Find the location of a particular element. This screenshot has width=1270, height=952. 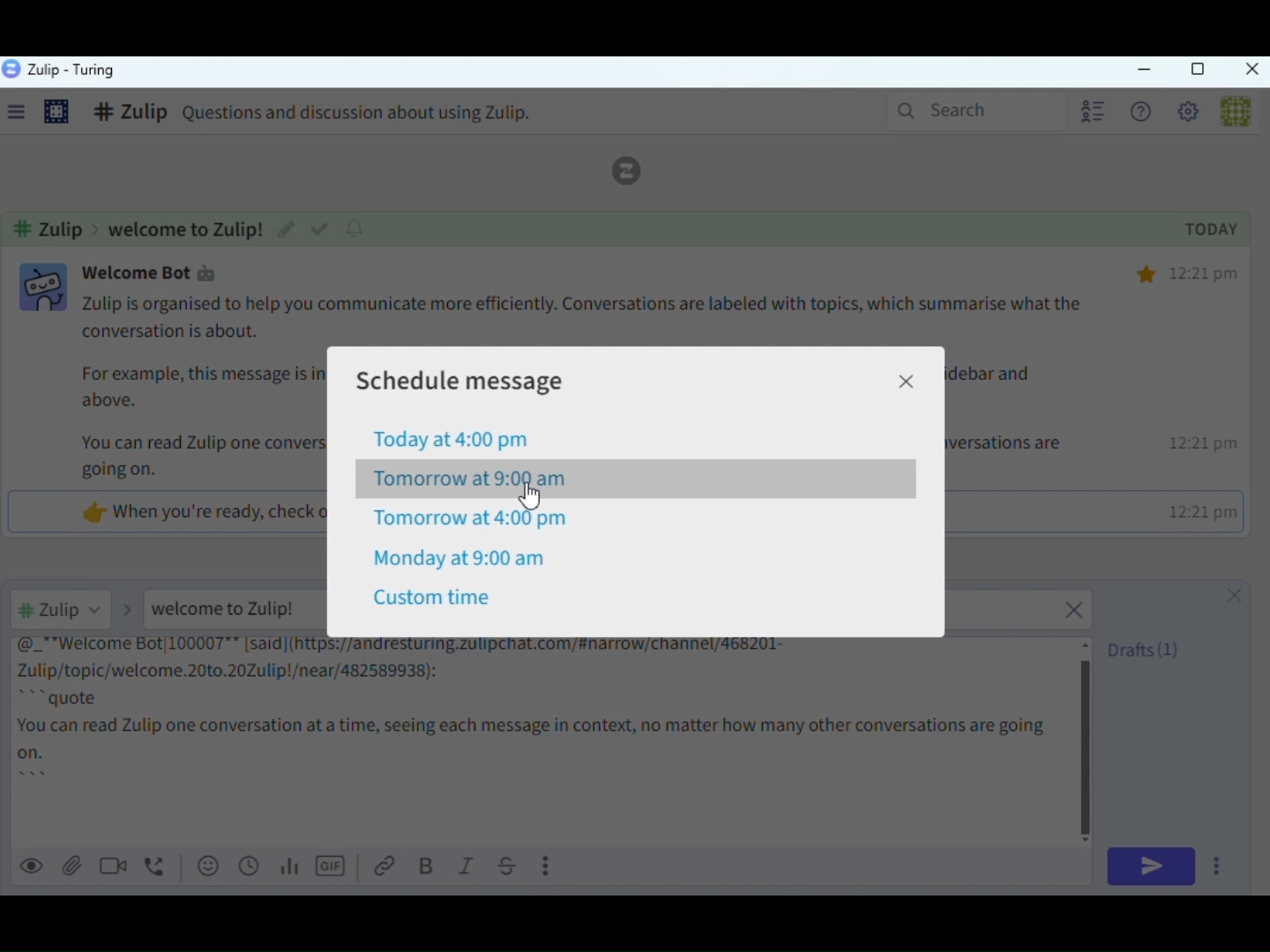

Schedule is located at coordinates (250, 866).